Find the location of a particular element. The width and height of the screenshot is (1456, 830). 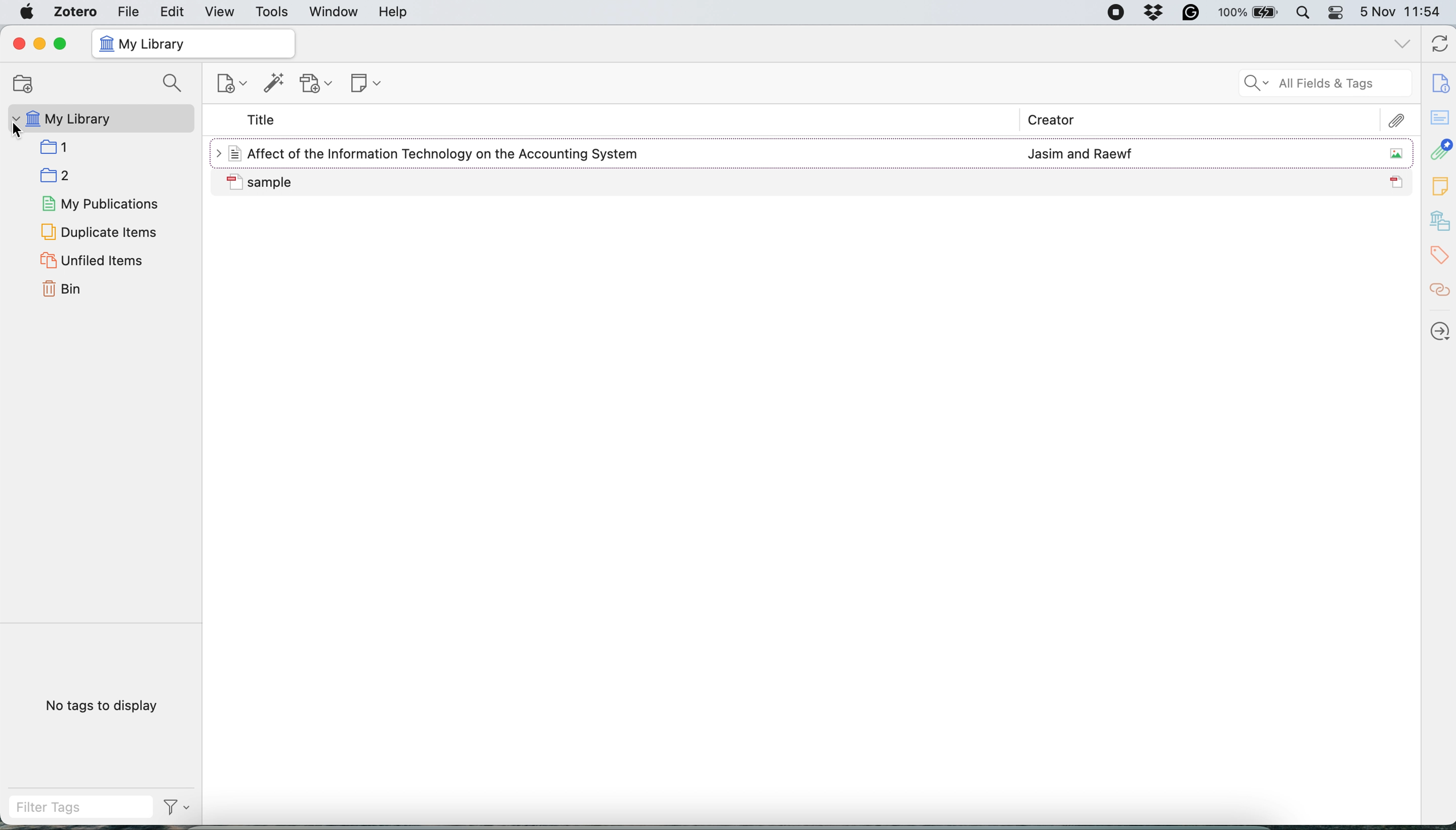

new note is located at coordinates (367, 82).